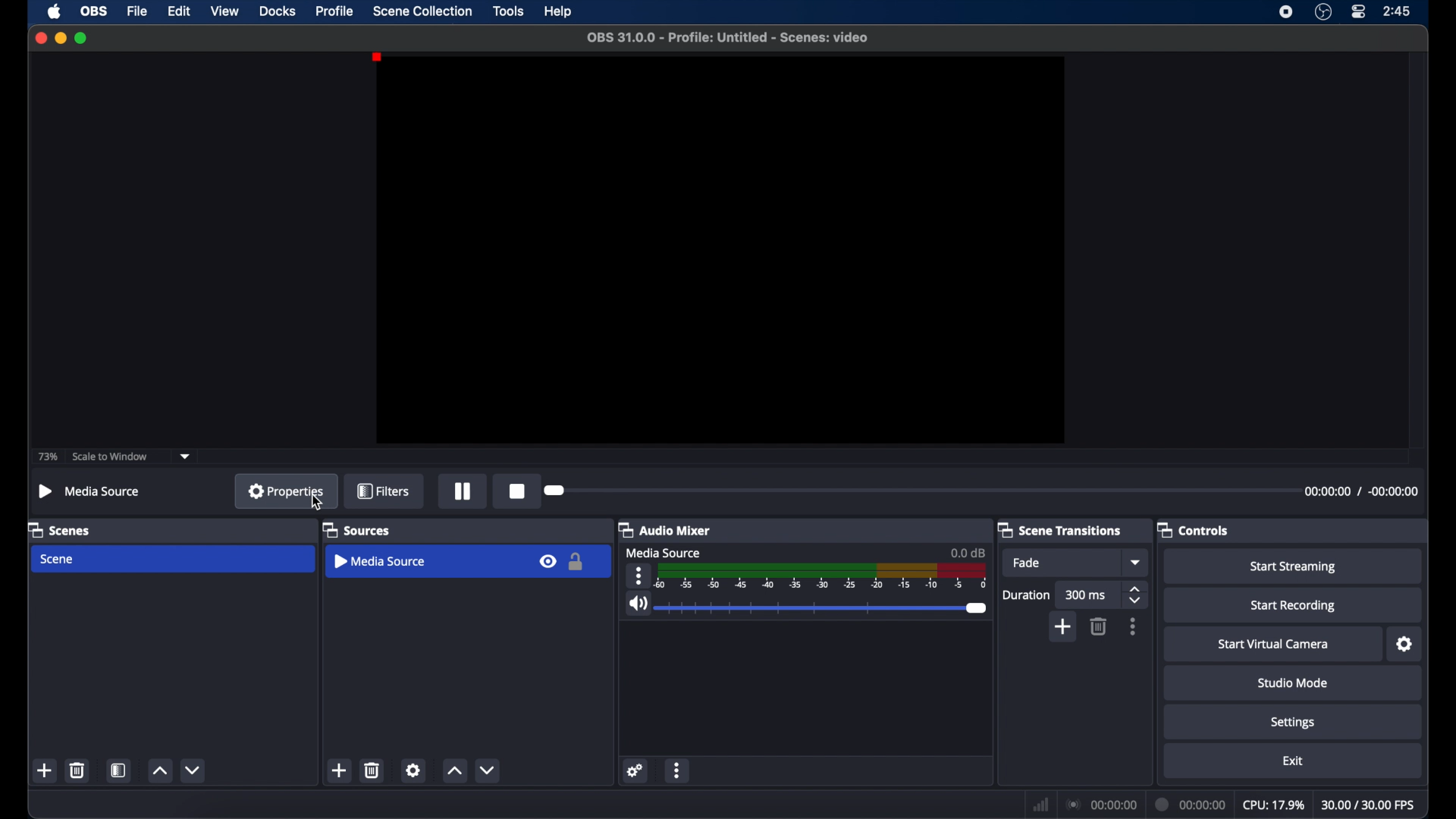 This screenshot has width=1456, height=819. Describe the element at coordinates (665, 530) in the screenshot. I see `audio mixer` at that location.